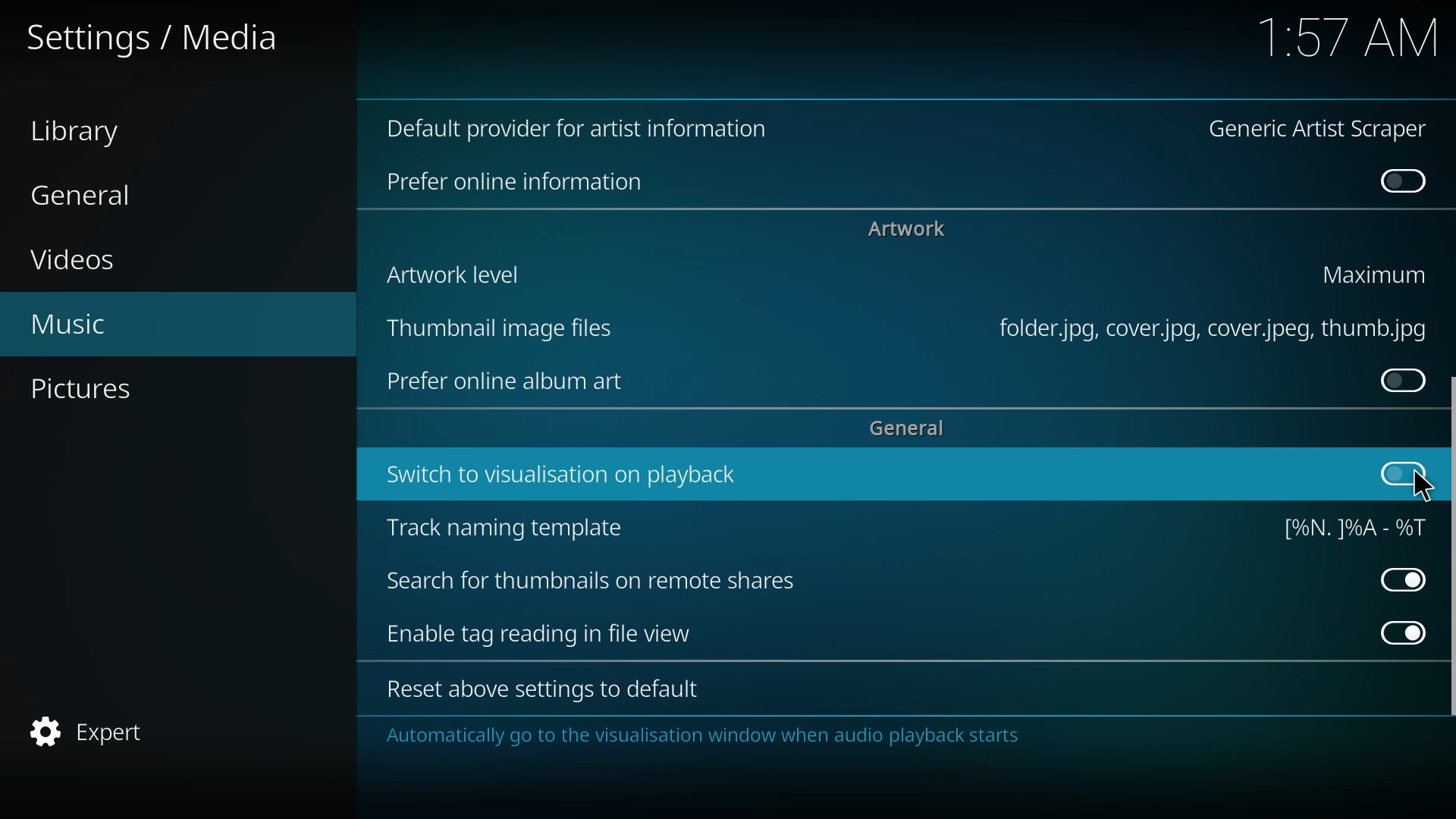  What do you see at coordinates (507, 529) in the screenshot?
I see `track naming template` at bounding box center [507, 529].